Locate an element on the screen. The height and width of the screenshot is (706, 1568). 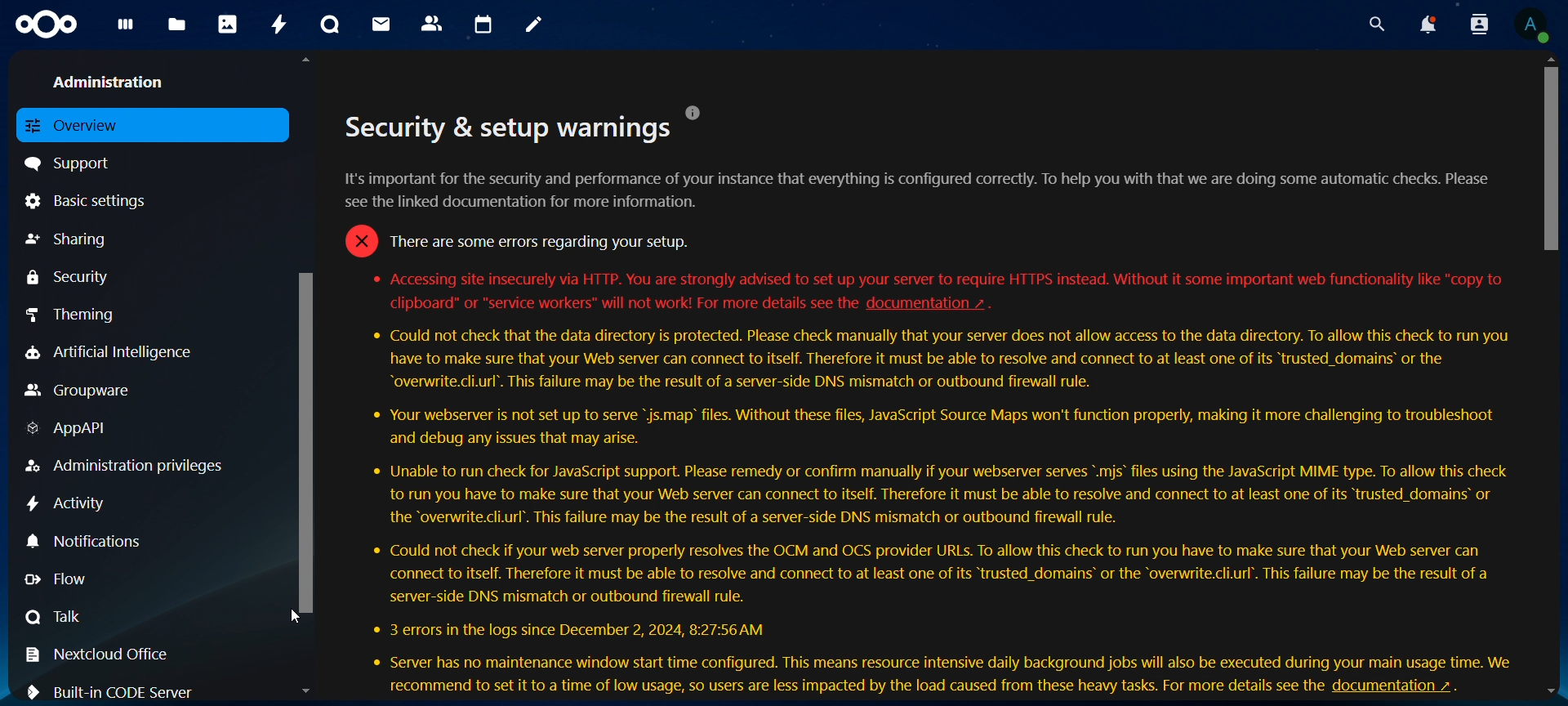
notes is located at coordinates (537, 25).